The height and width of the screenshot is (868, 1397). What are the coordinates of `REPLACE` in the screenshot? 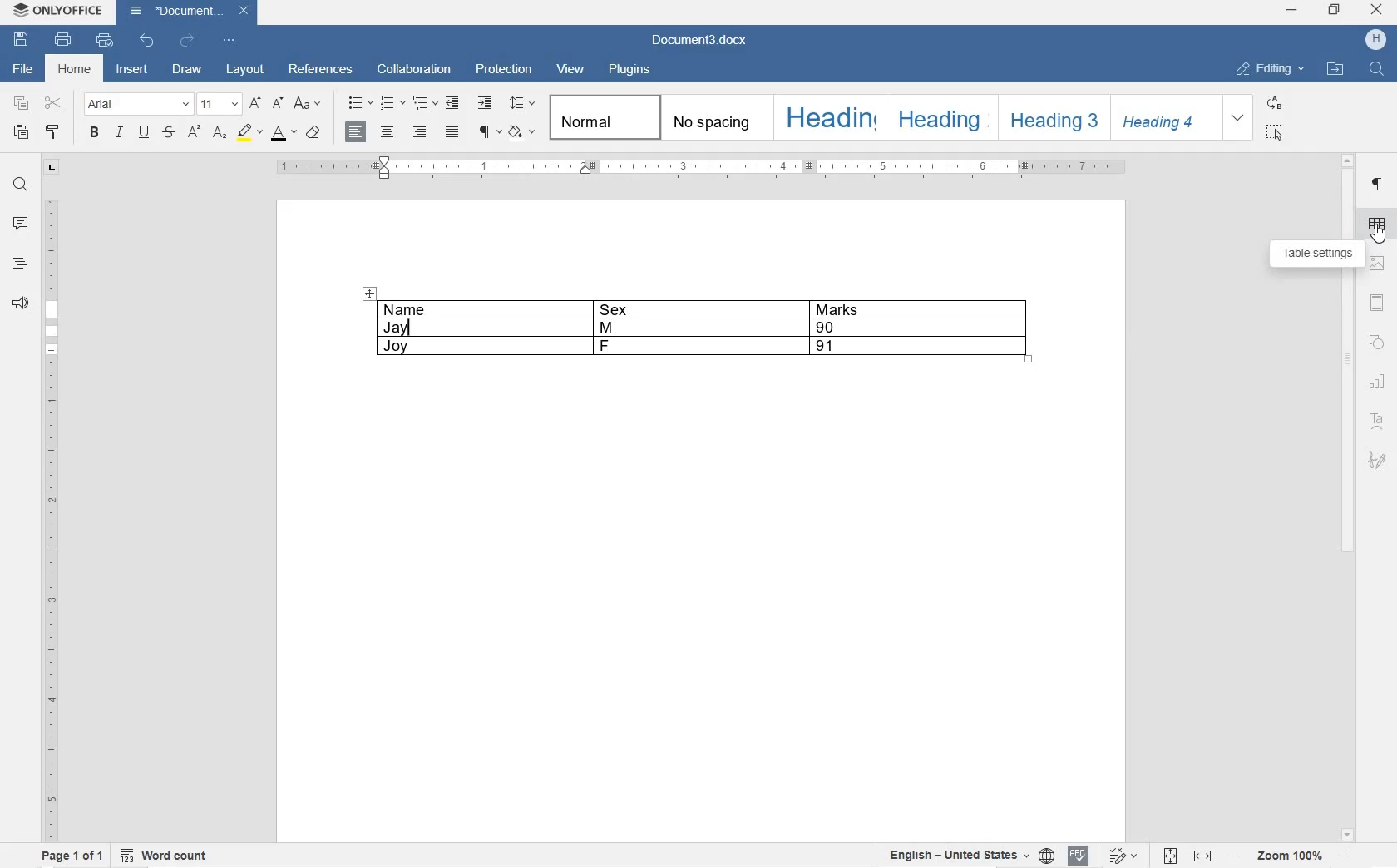 It's located at (1275, 102).